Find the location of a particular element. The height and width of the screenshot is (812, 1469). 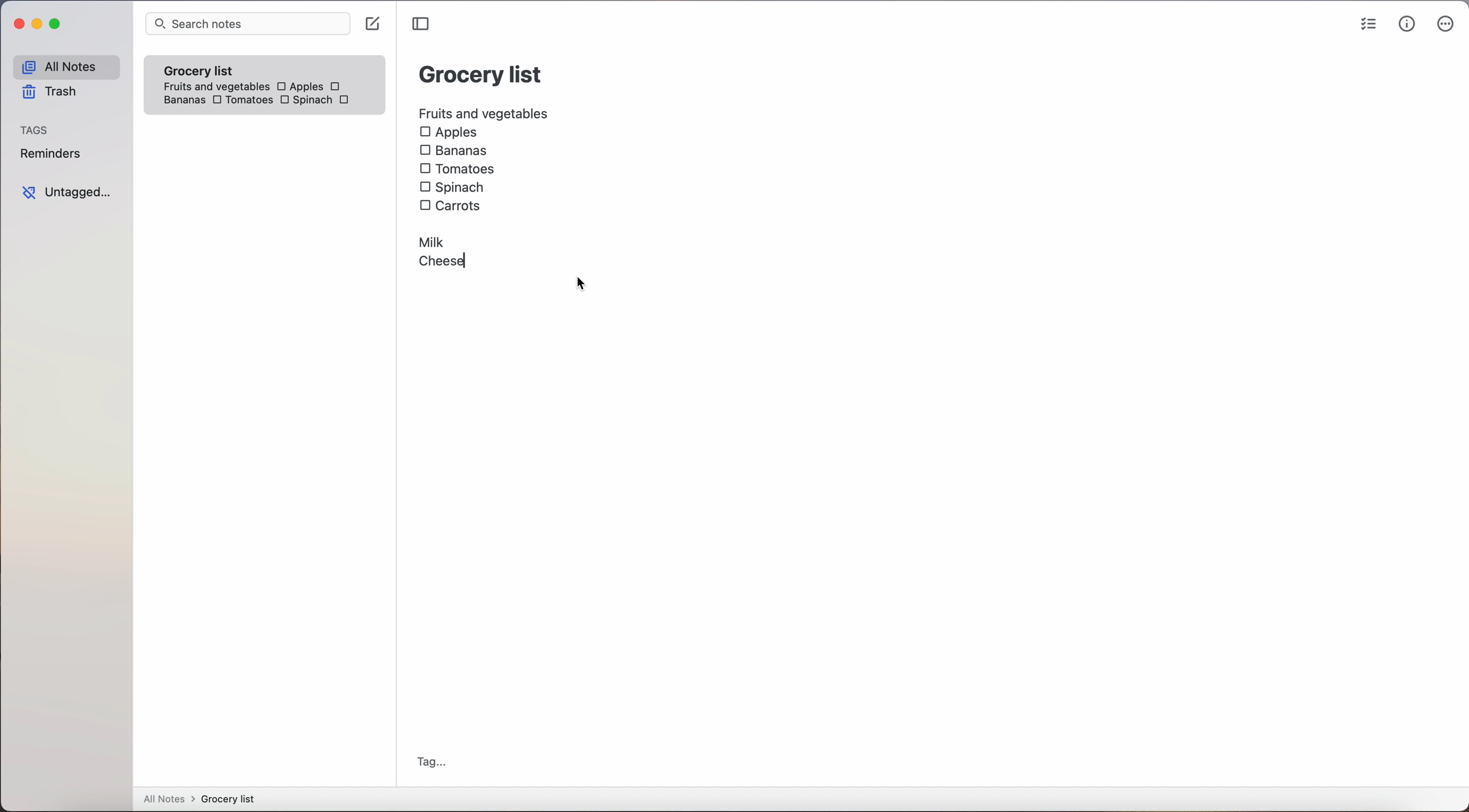

close app is located at coordinates (15, 22).